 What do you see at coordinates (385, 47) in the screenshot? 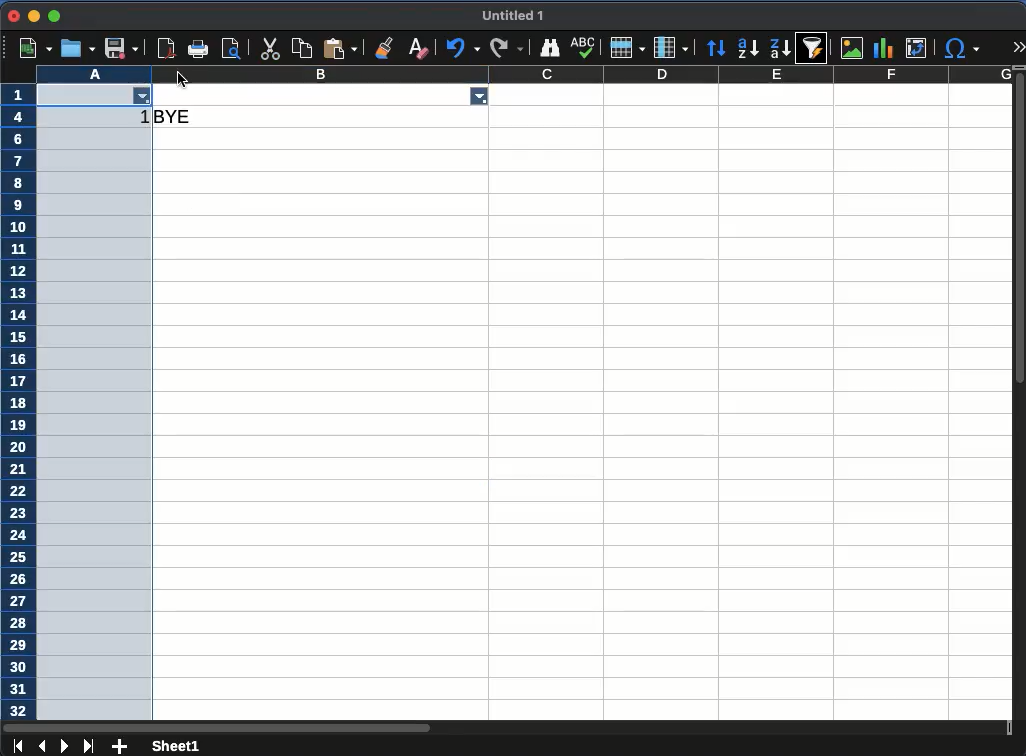
I see `clone formatting` at bounding box center [385, 47].